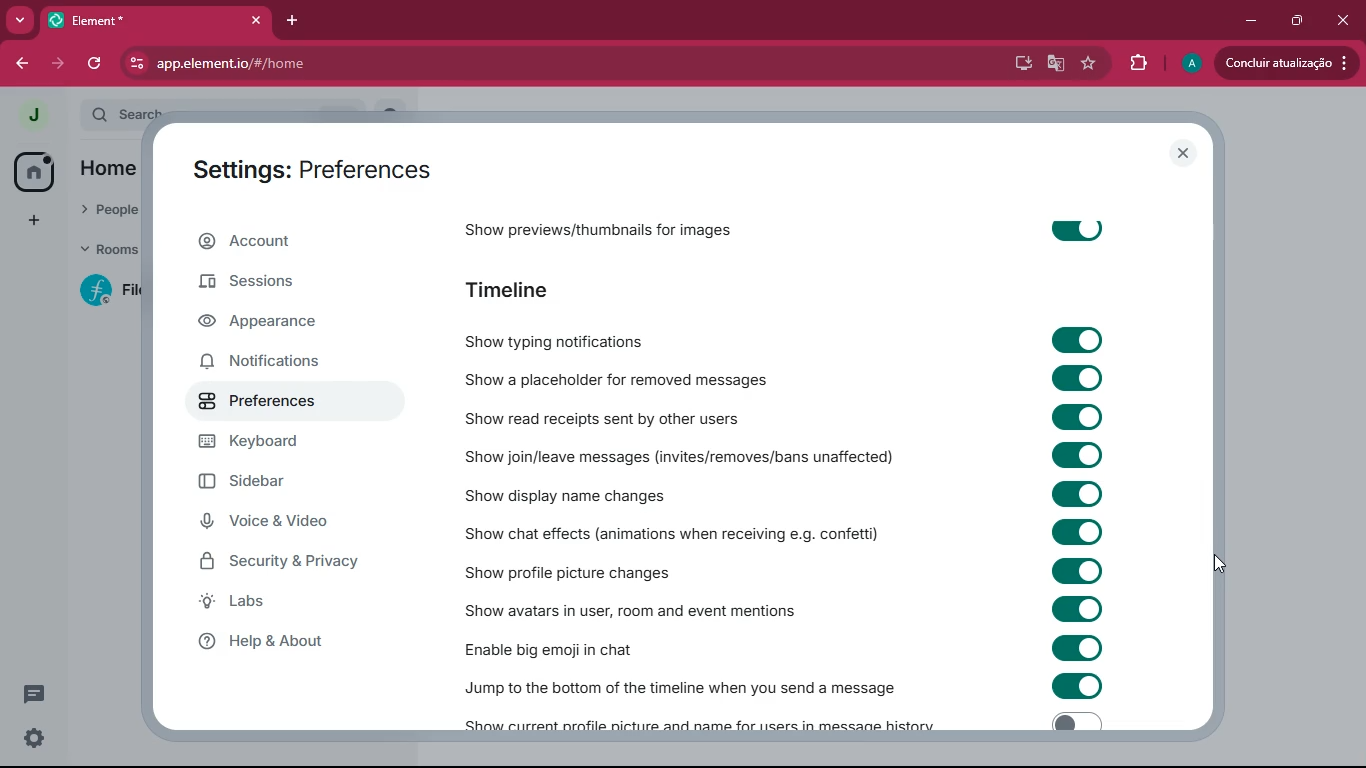 The height and width of the screenshot is (768, 1366). Describe the element at coordinates (287, 564) in the screenshot. I see `security` at that location.